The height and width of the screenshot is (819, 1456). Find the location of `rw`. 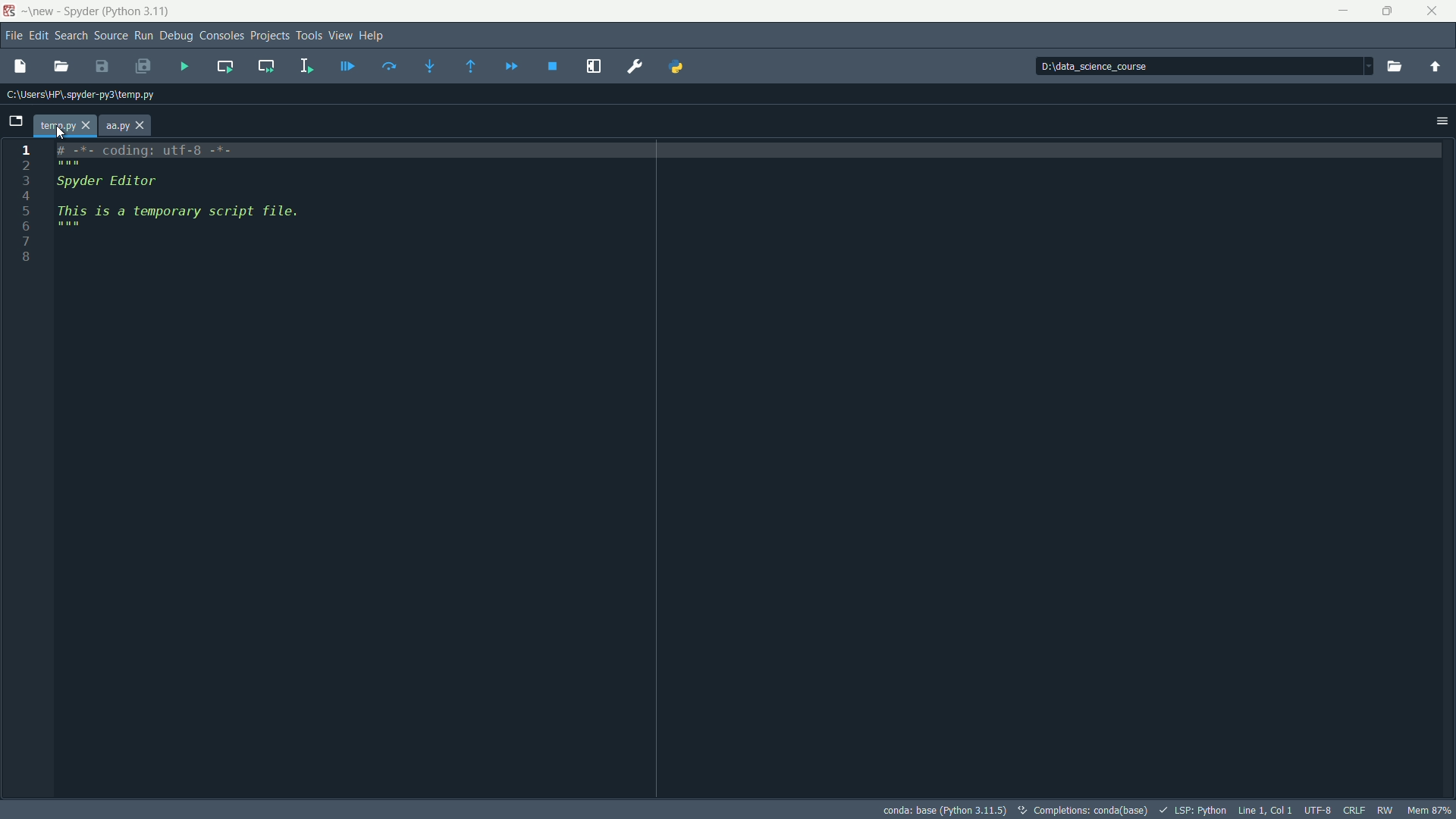

rw is located at coordinates (1386, 809).